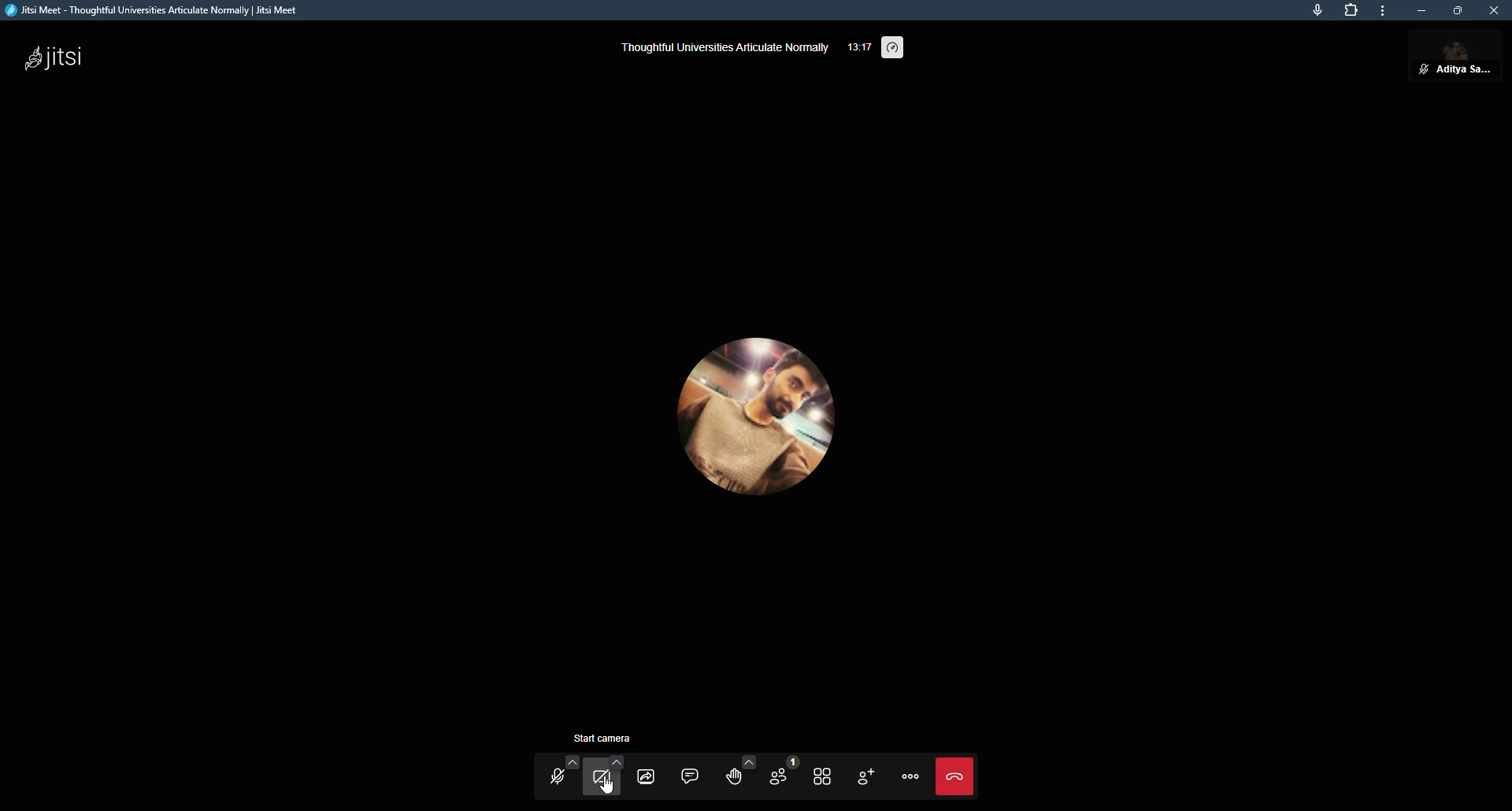 This screenshot has height=811, width=1512. What do you see at coordinates (1457, 10) in the screenshot?
I see `maximize` at bounding box center [1457, 10].